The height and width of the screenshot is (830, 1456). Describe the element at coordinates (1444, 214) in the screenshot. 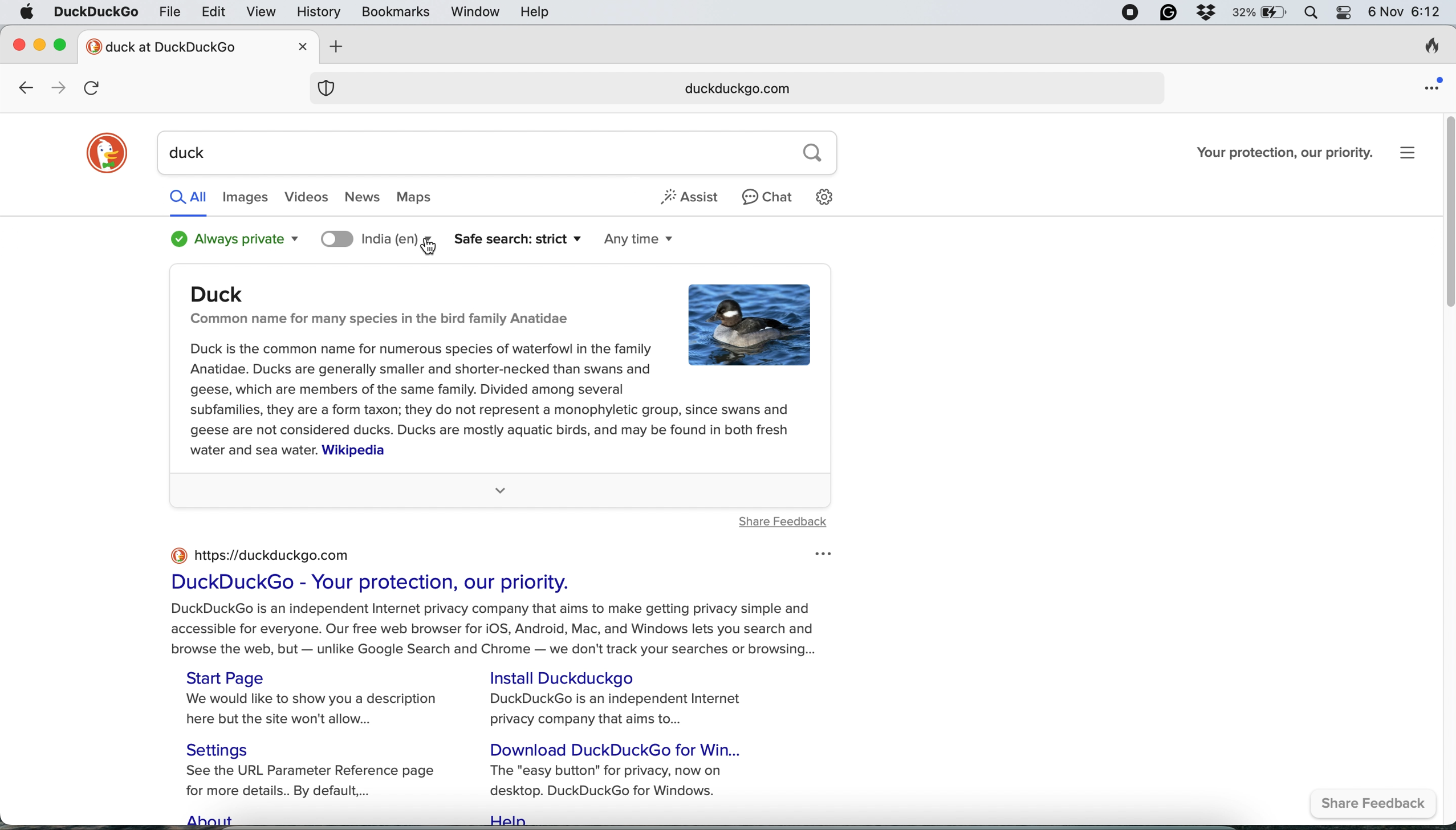

I see `vertical scroll bar` at that location.